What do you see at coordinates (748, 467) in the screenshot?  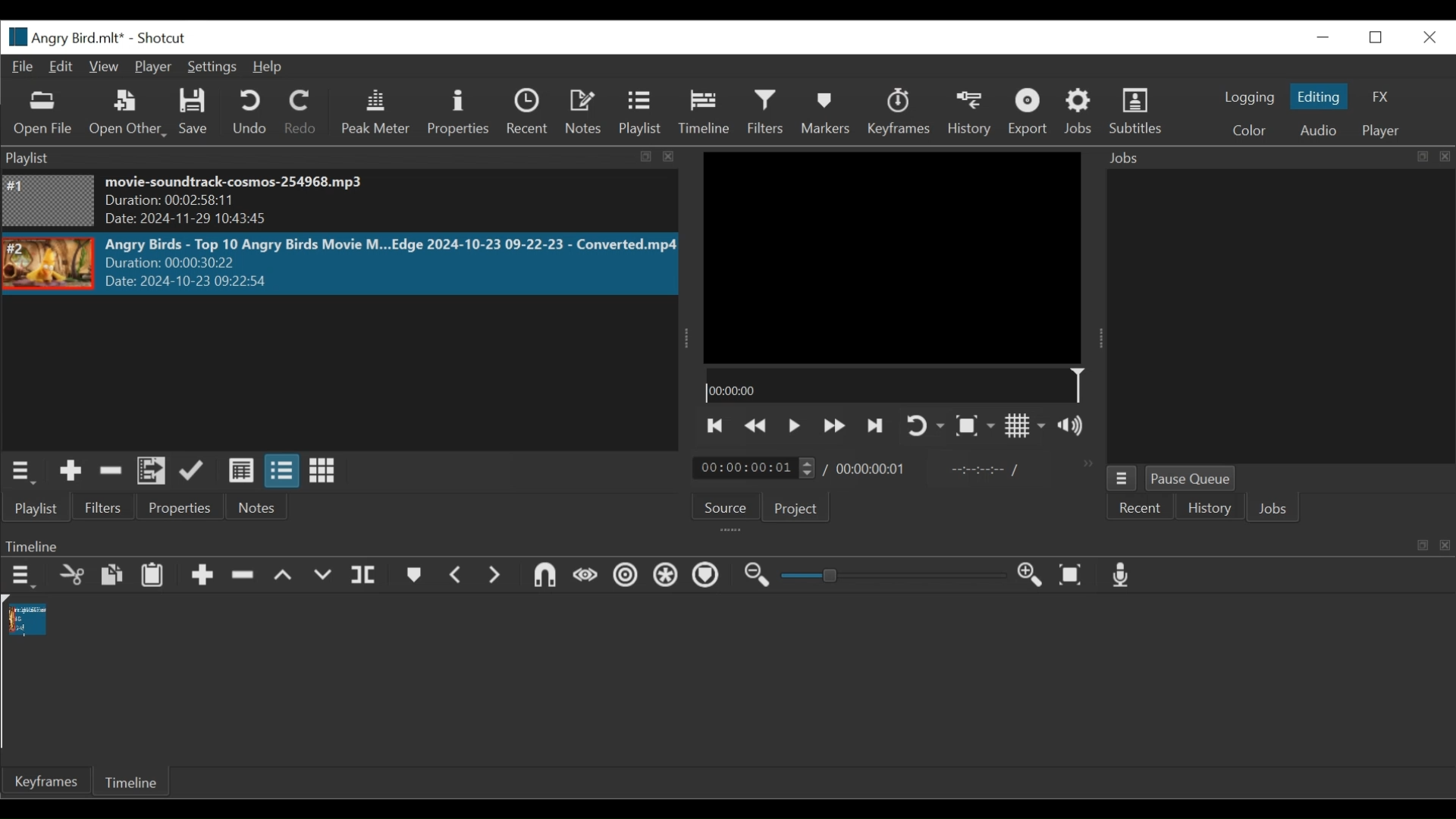 I see `/ 00:00:00:01(Current duration)` at bounding box center [748, 467].